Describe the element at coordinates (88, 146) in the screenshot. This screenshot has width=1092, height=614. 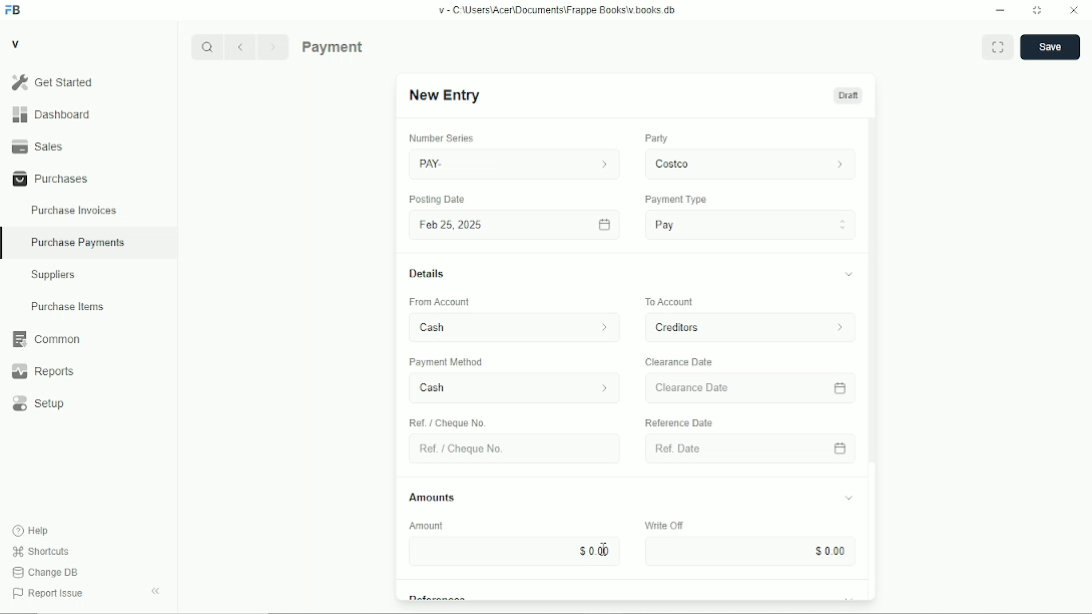
I see `Sales` at that location.